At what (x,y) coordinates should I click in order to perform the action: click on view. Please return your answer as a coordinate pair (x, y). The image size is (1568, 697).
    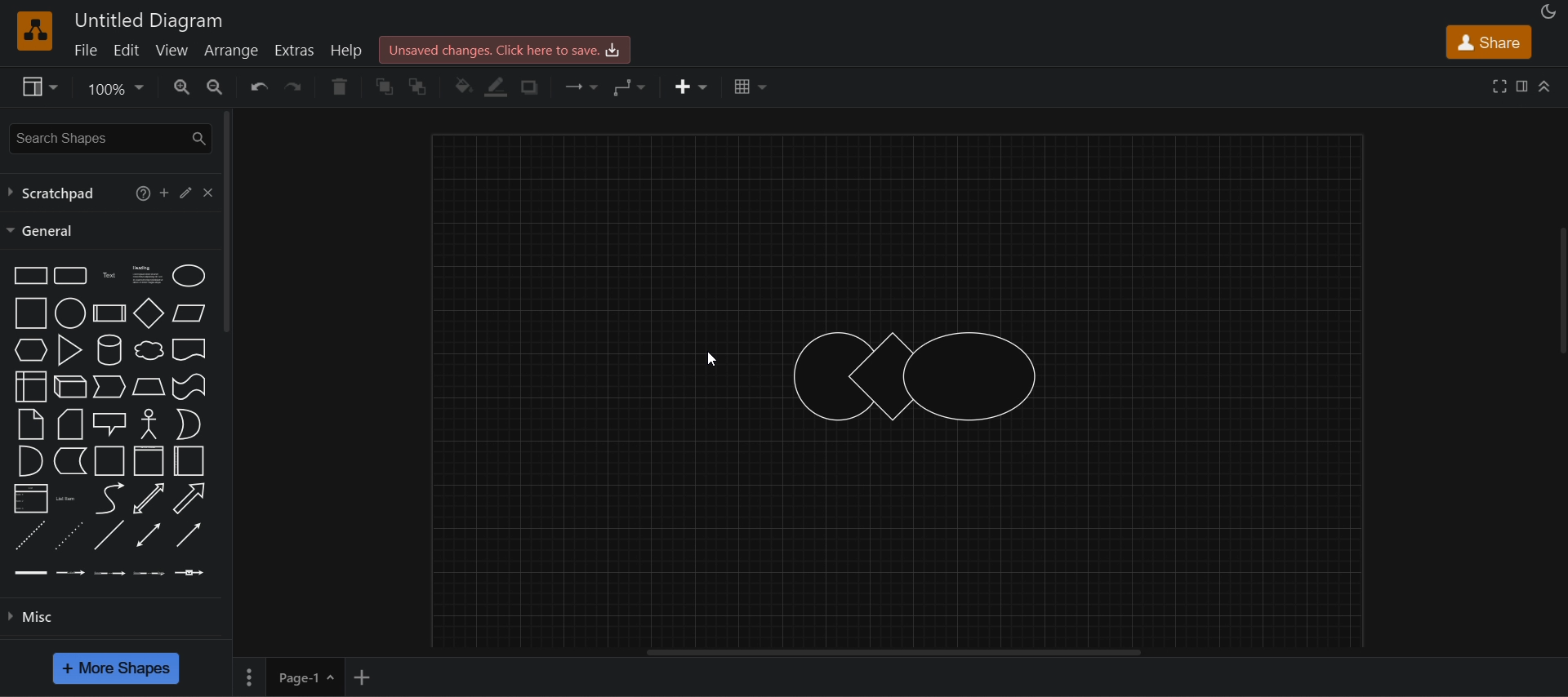
    Looking at the image, I should click on (173, 50).